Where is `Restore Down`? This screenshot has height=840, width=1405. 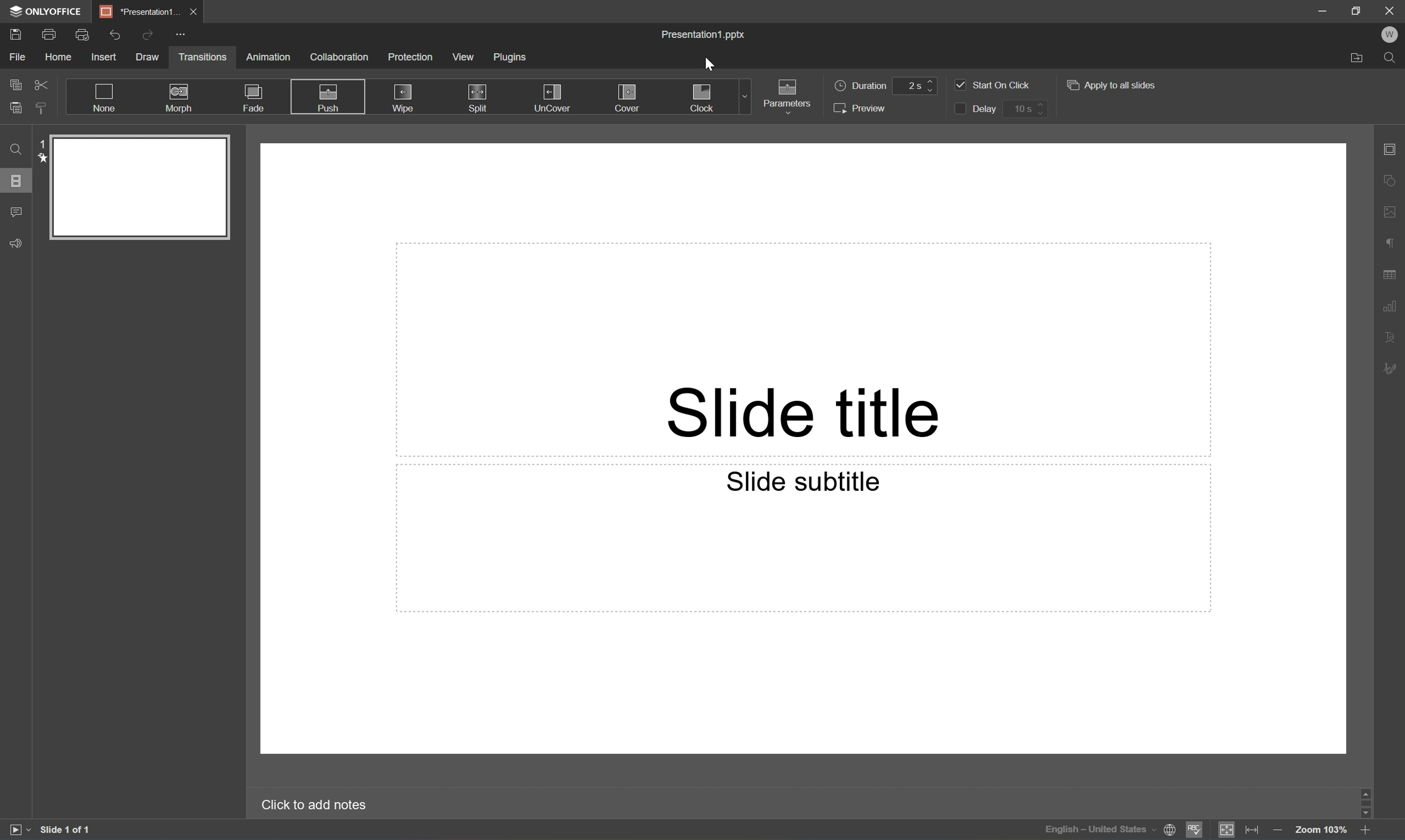
Restore Down is located at coordinates (1357, 9).